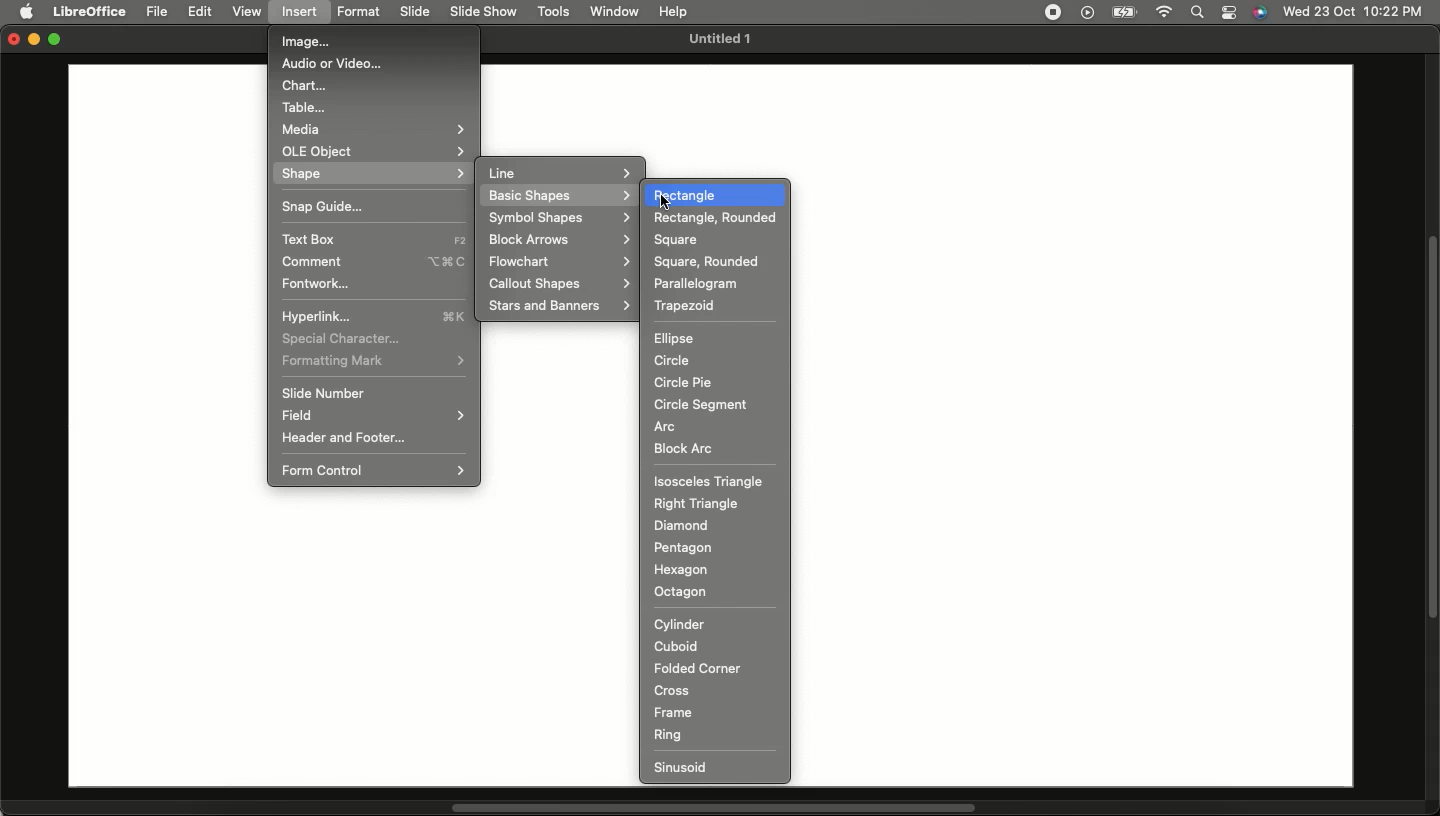  What do you see at coordinates (248, 12) in the screenshot?
I see `View` at bounding box center [248, 12].